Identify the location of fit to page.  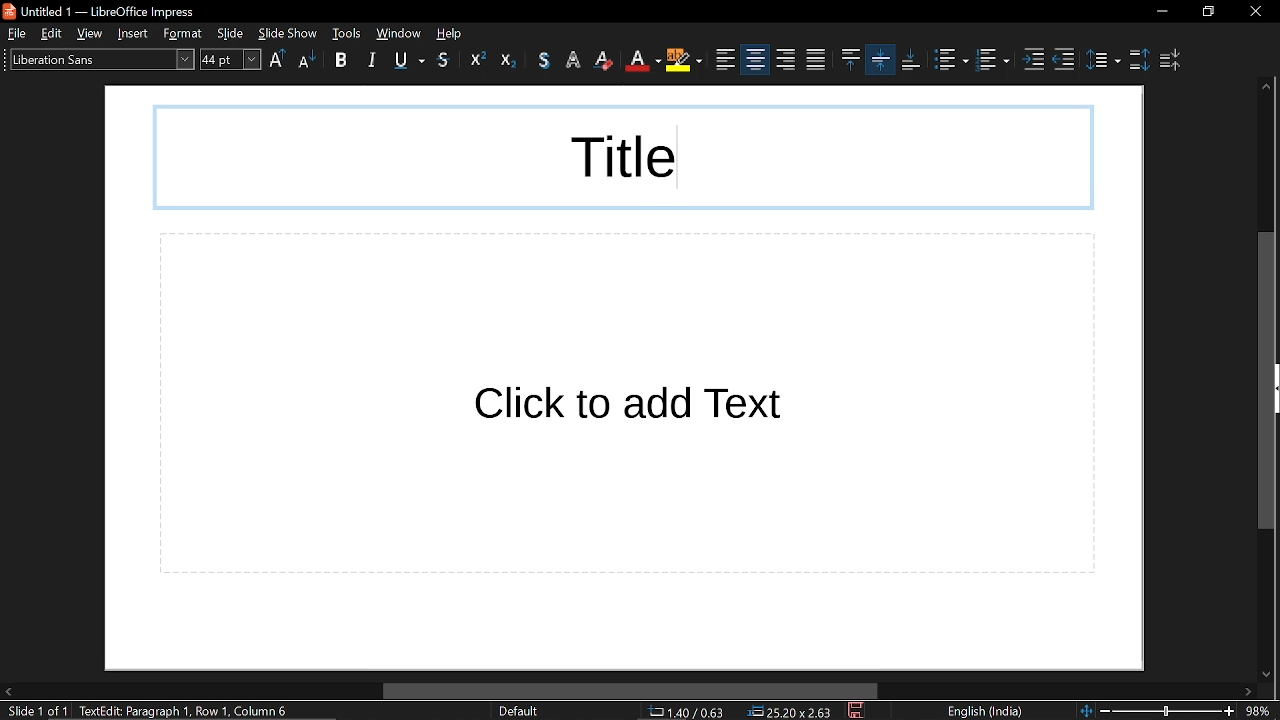
(1083, 709).